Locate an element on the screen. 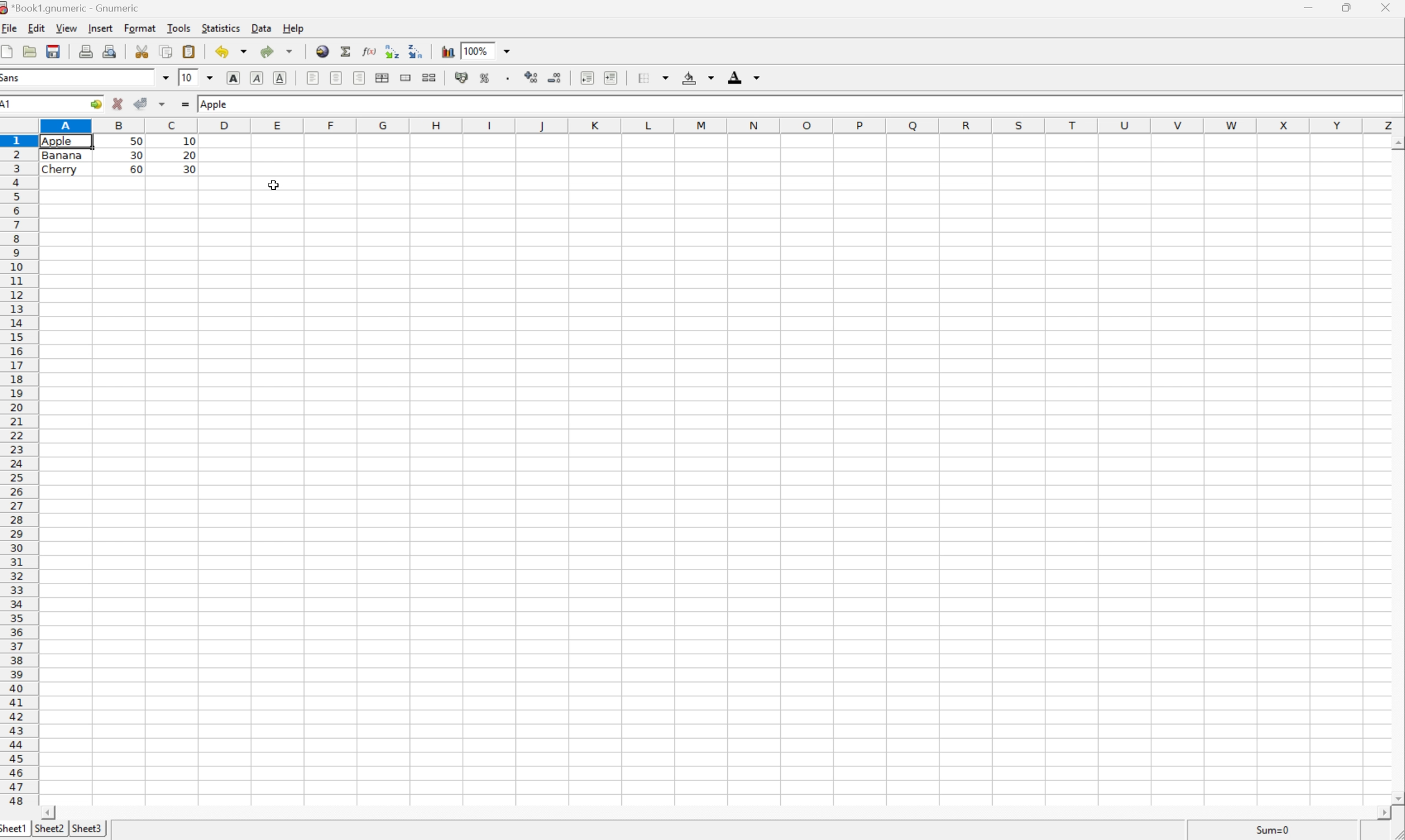 The image size is (1405, 840). cut is located at coordinates (142, 50).